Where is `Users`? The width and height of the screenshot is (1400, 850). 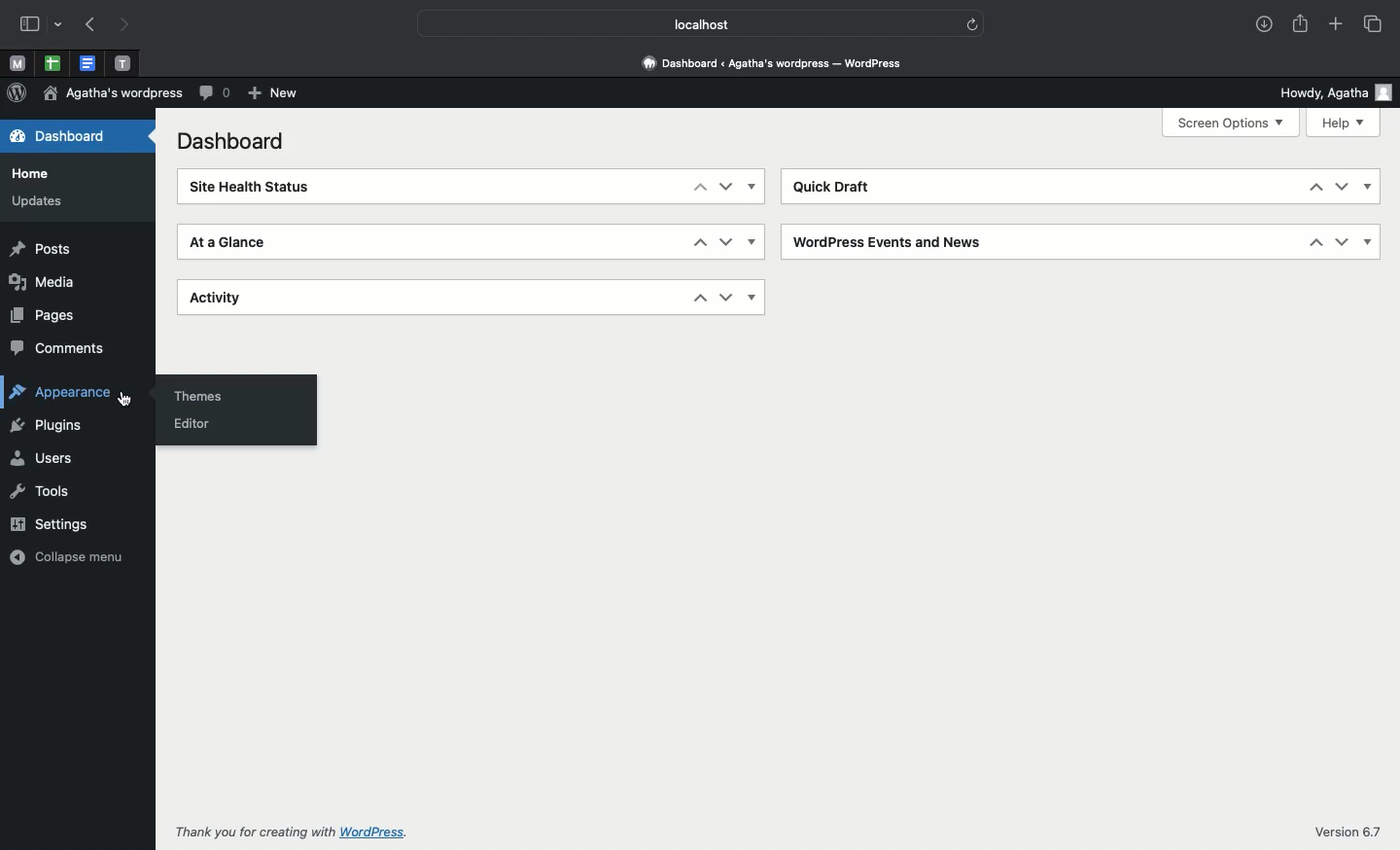 Users is located at coordinates (40, 458).